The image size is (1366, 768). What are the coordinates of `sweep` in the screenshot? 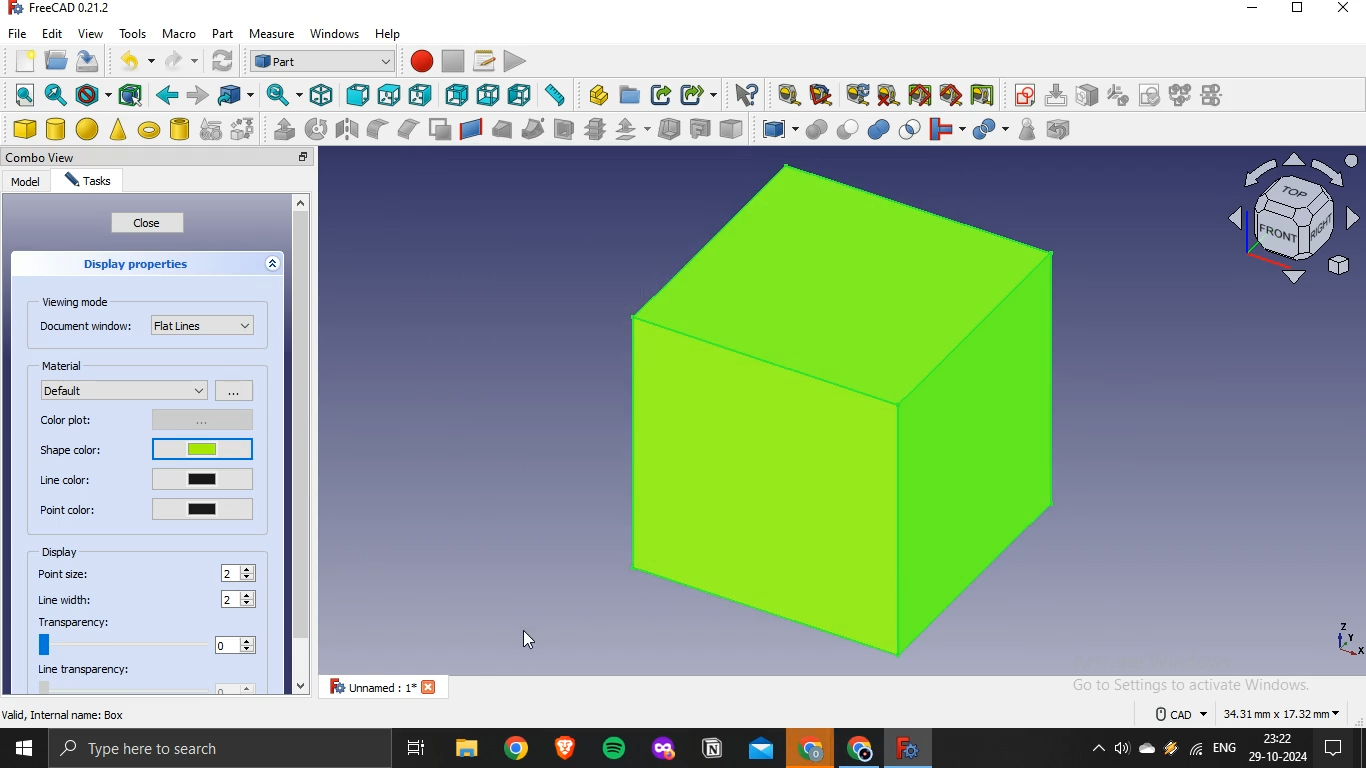 It's located at (533, 128).